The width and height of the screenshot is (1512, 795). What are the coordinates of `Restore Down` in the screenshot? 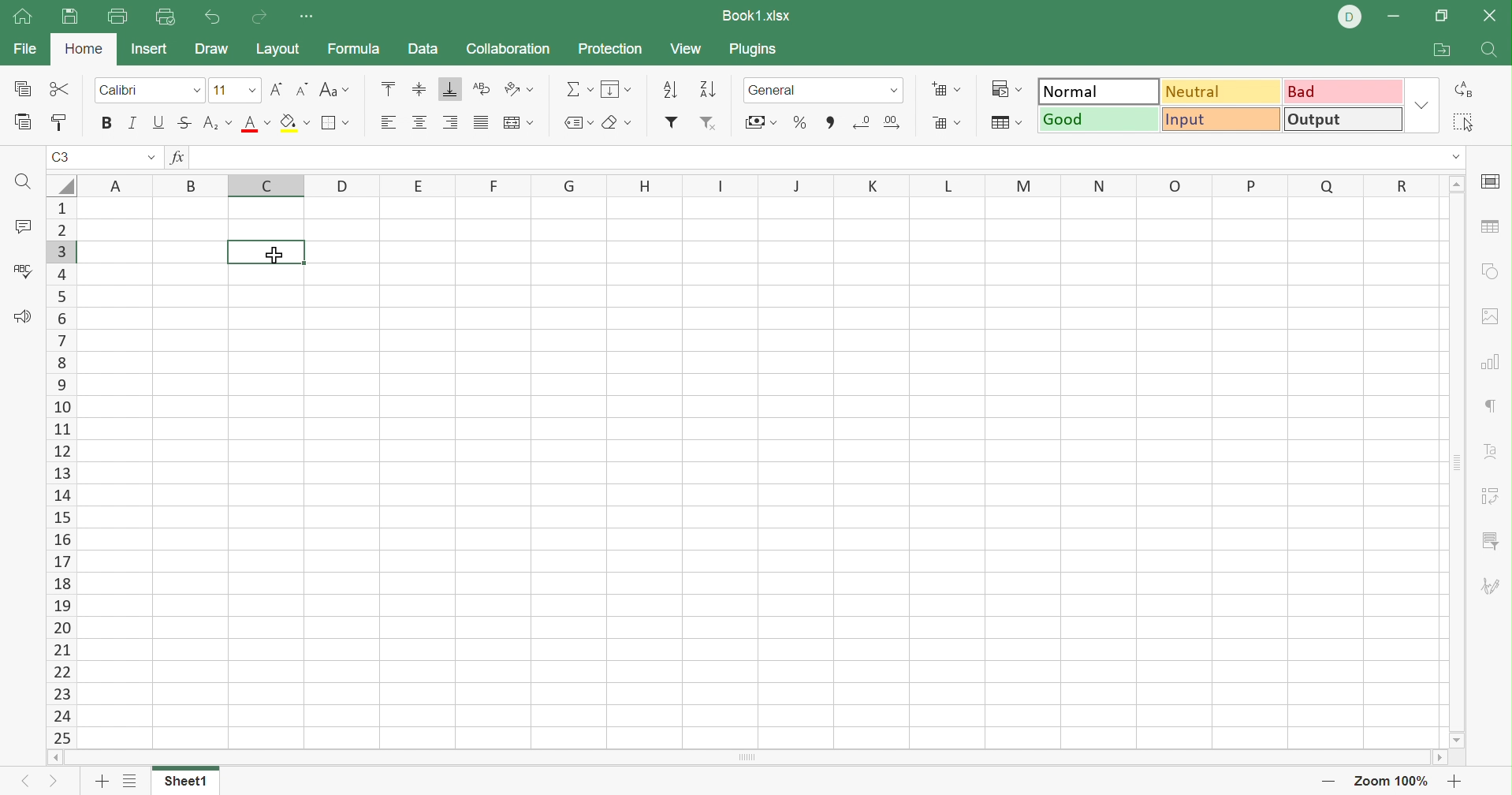 It's located at (1439, 17).